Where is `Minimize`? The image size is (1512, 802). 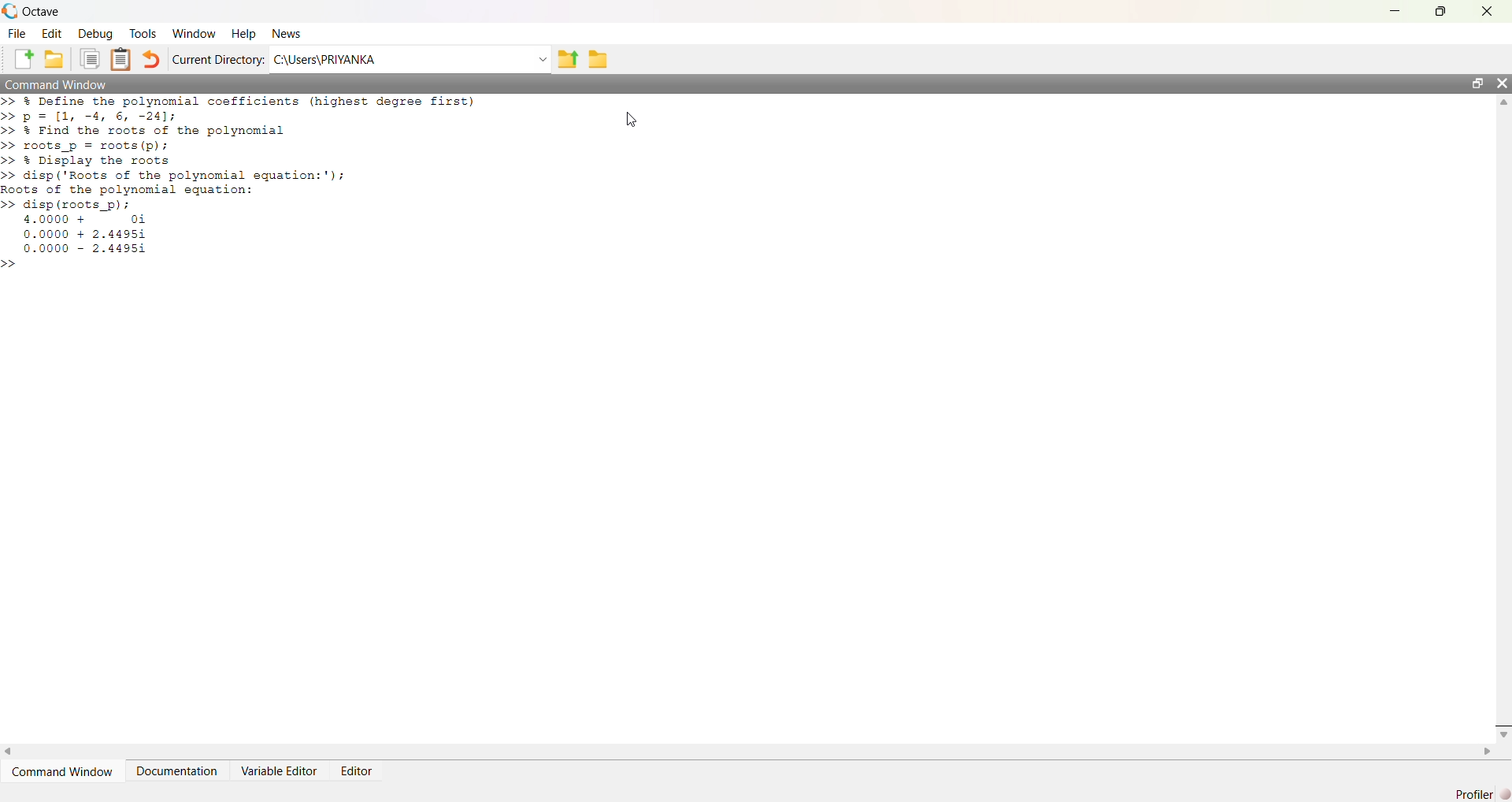
Minimize is located at coordinates (1397, 9).